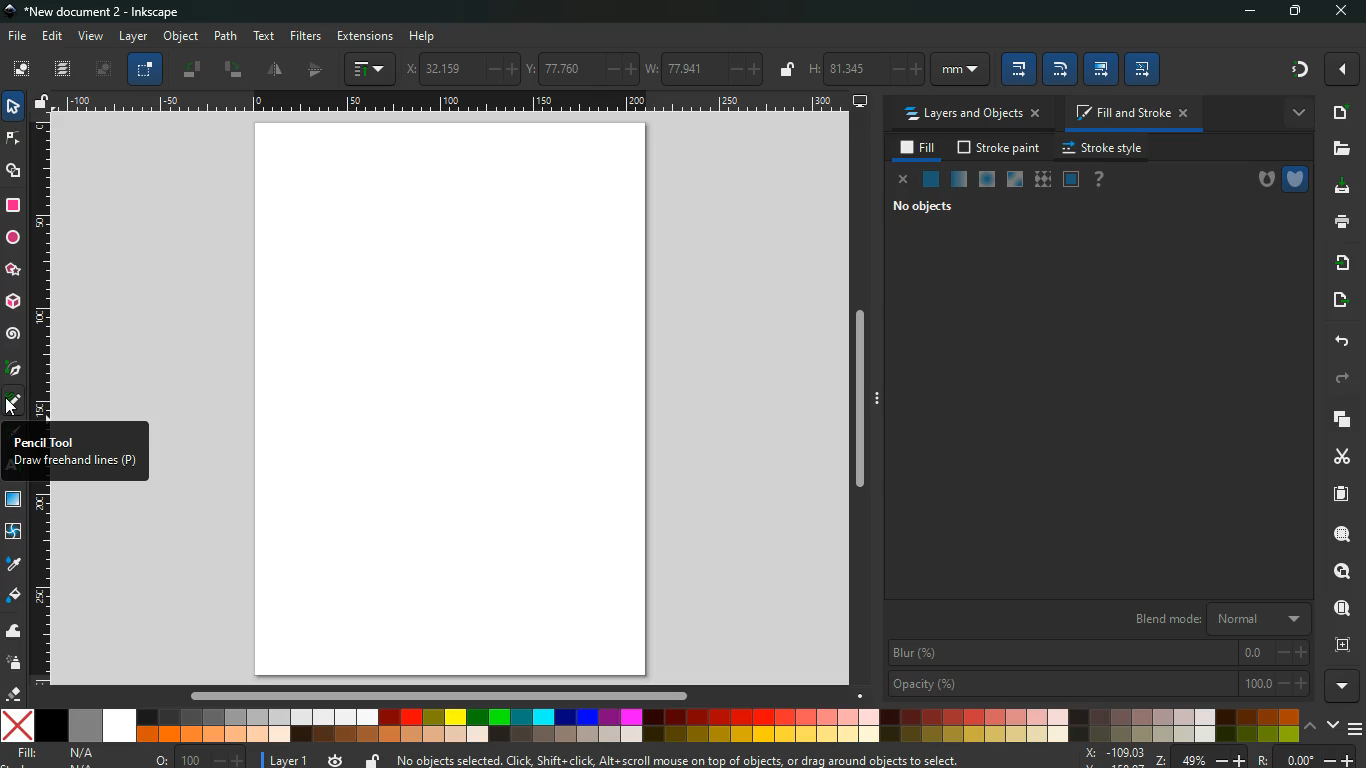 This screenshot has width=1366, height=768. What do you see at coordinates (275, 70) in the screenshot?
I see `divide` at bounding box center [275, 70].